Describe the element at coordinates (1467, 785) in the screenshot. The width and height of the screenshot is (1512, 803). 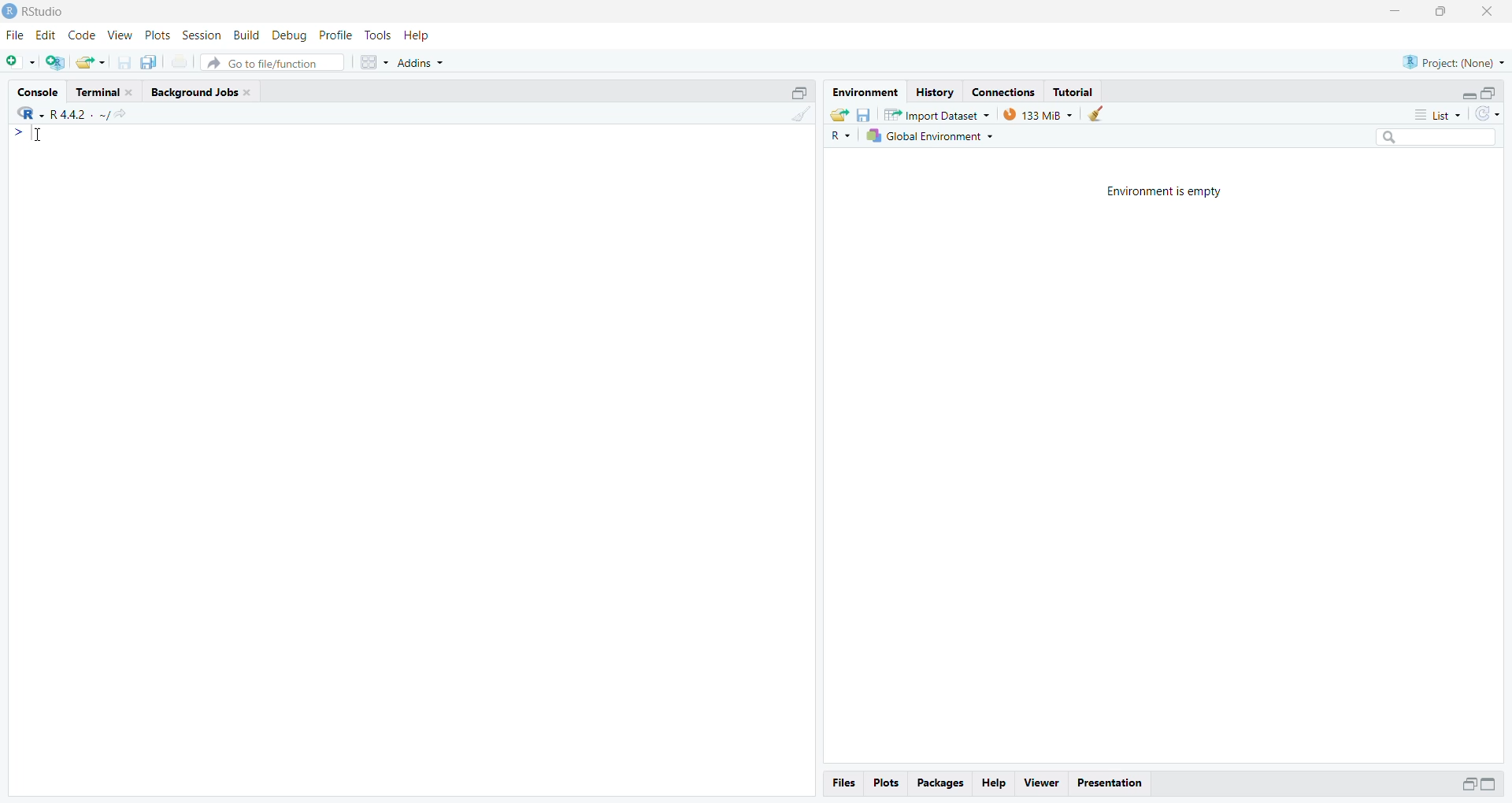
I see `Maximize` at that location.